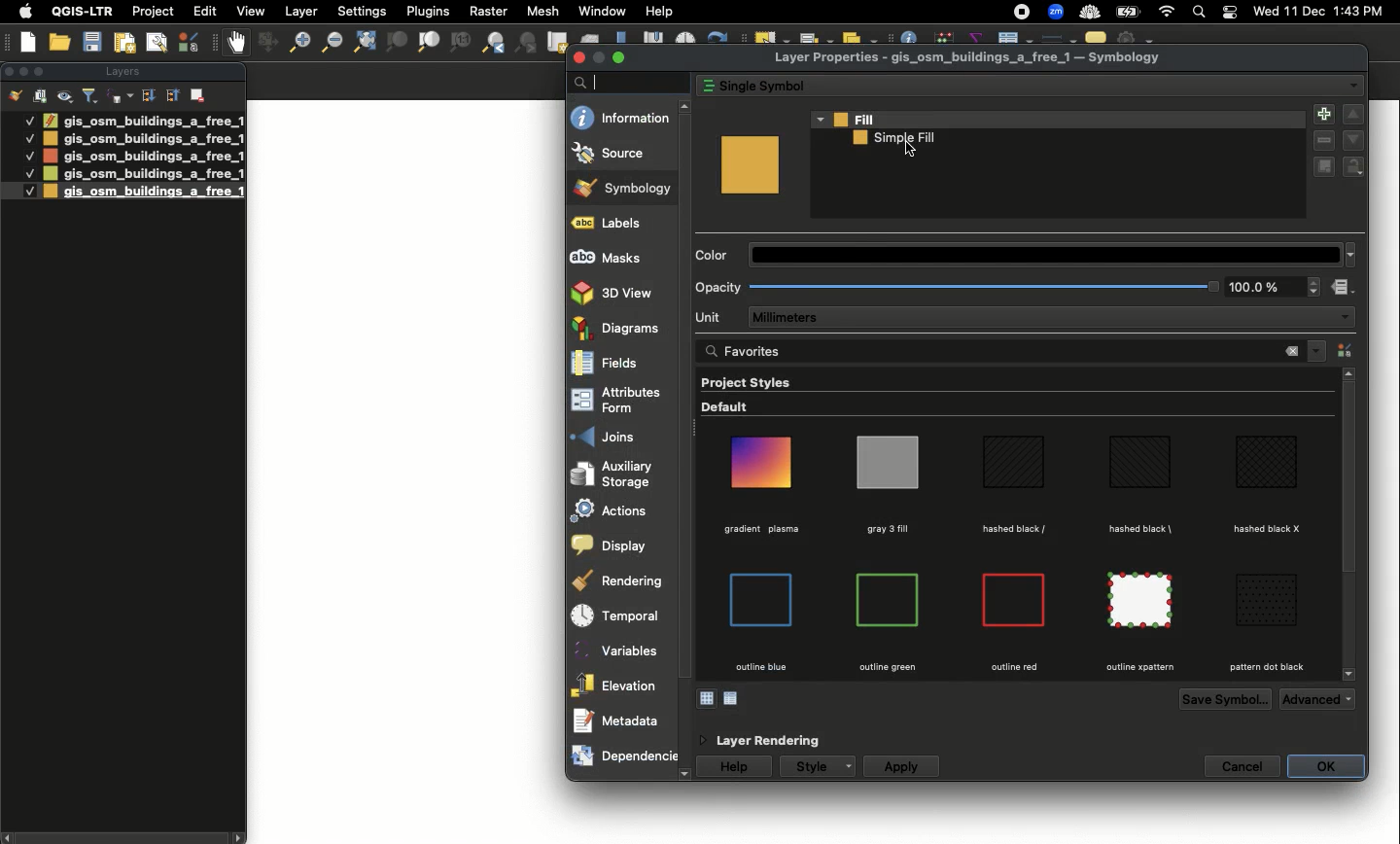 The image size is (1400, 844). Describe the element at coordinates (1263, 459) in the screenshot. I see `` at that location.